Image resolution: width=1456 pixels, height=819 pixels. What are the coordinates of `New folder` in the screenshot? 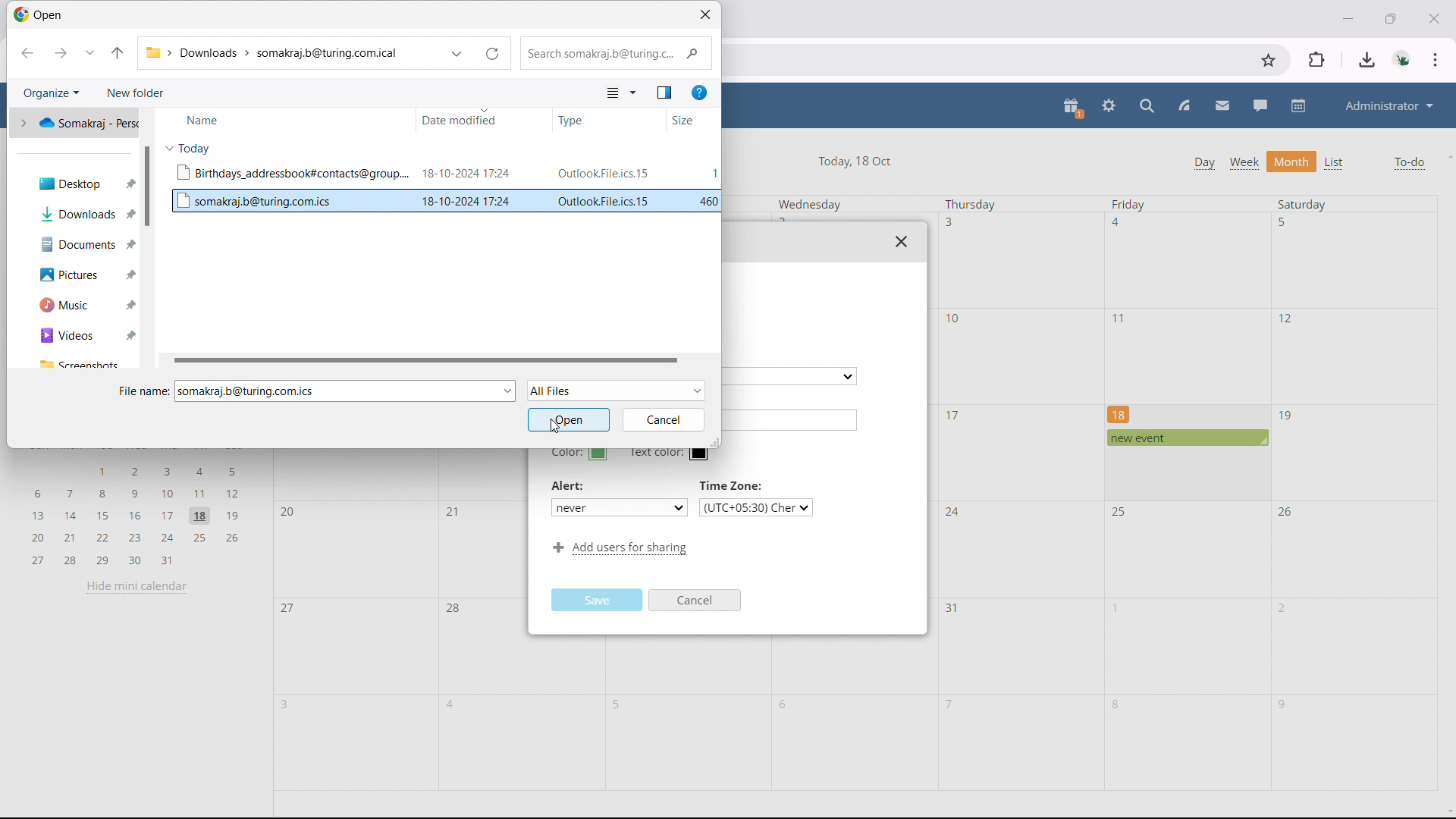 It's located at (135, 93).